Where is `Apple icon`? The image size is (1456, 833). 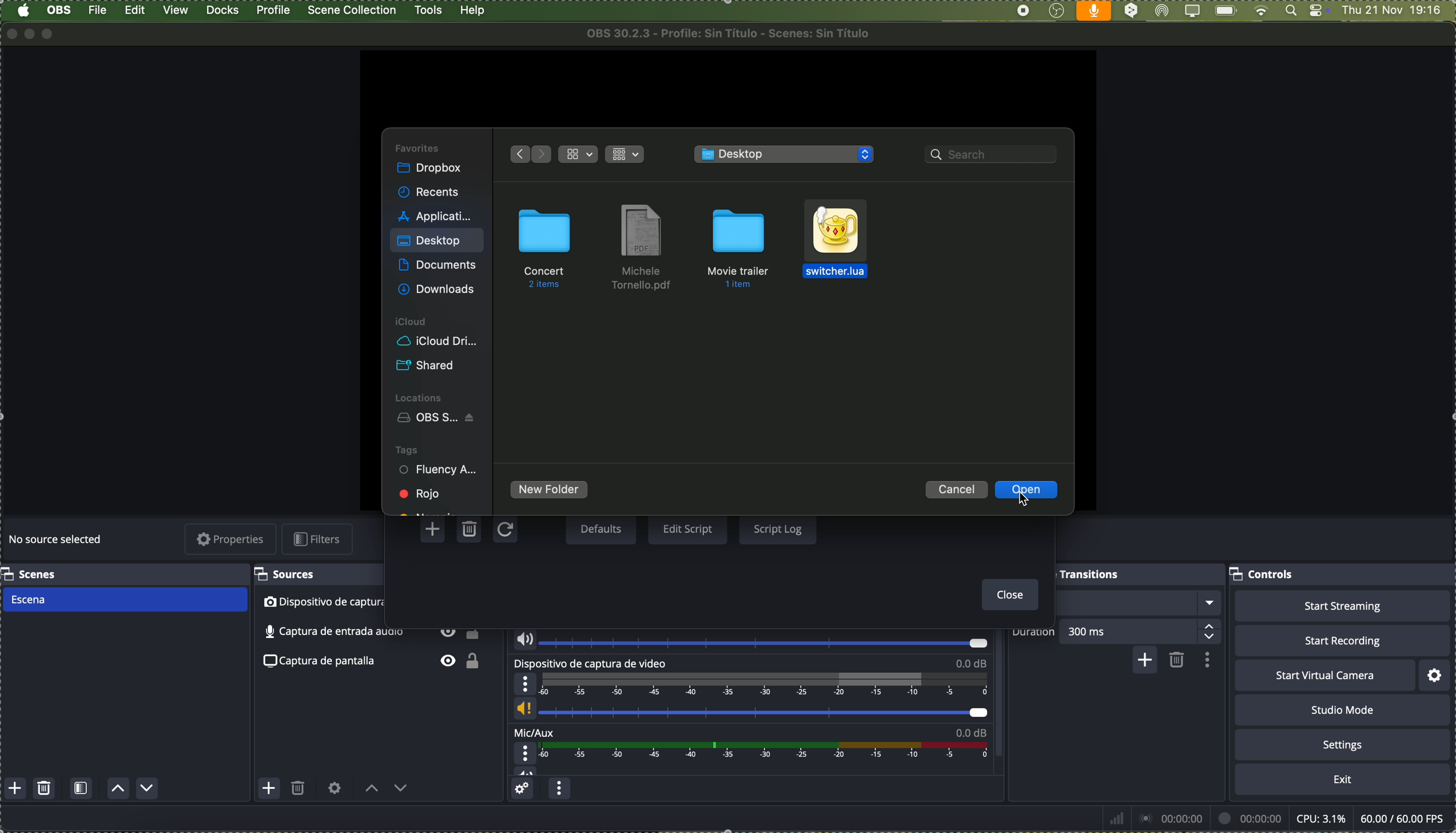
Apple icon is located at coordinates (23, 11).